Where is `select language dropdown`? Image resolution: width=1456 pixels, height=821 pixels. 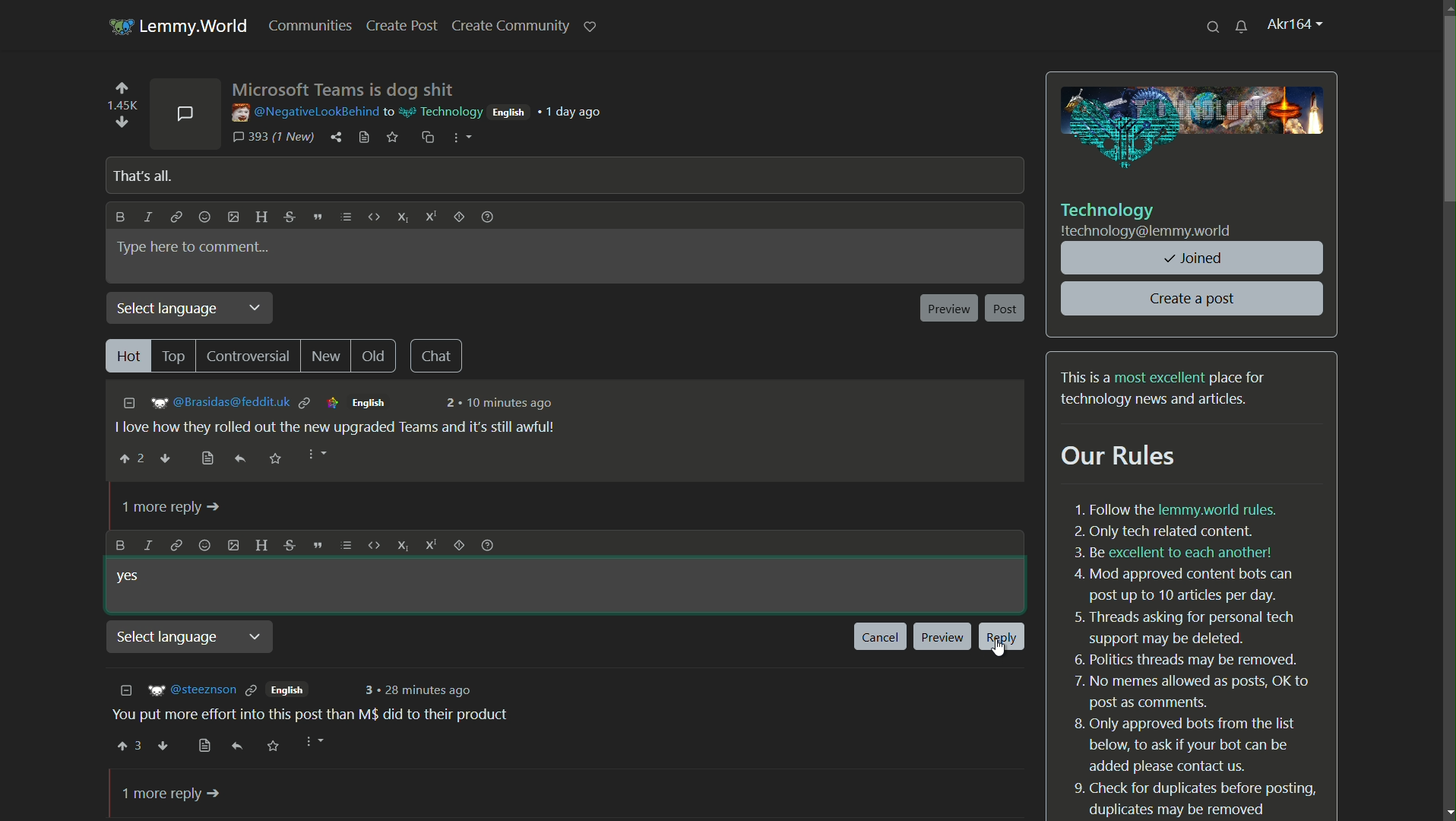 select language dropdown is located at coordinates (192, 309).